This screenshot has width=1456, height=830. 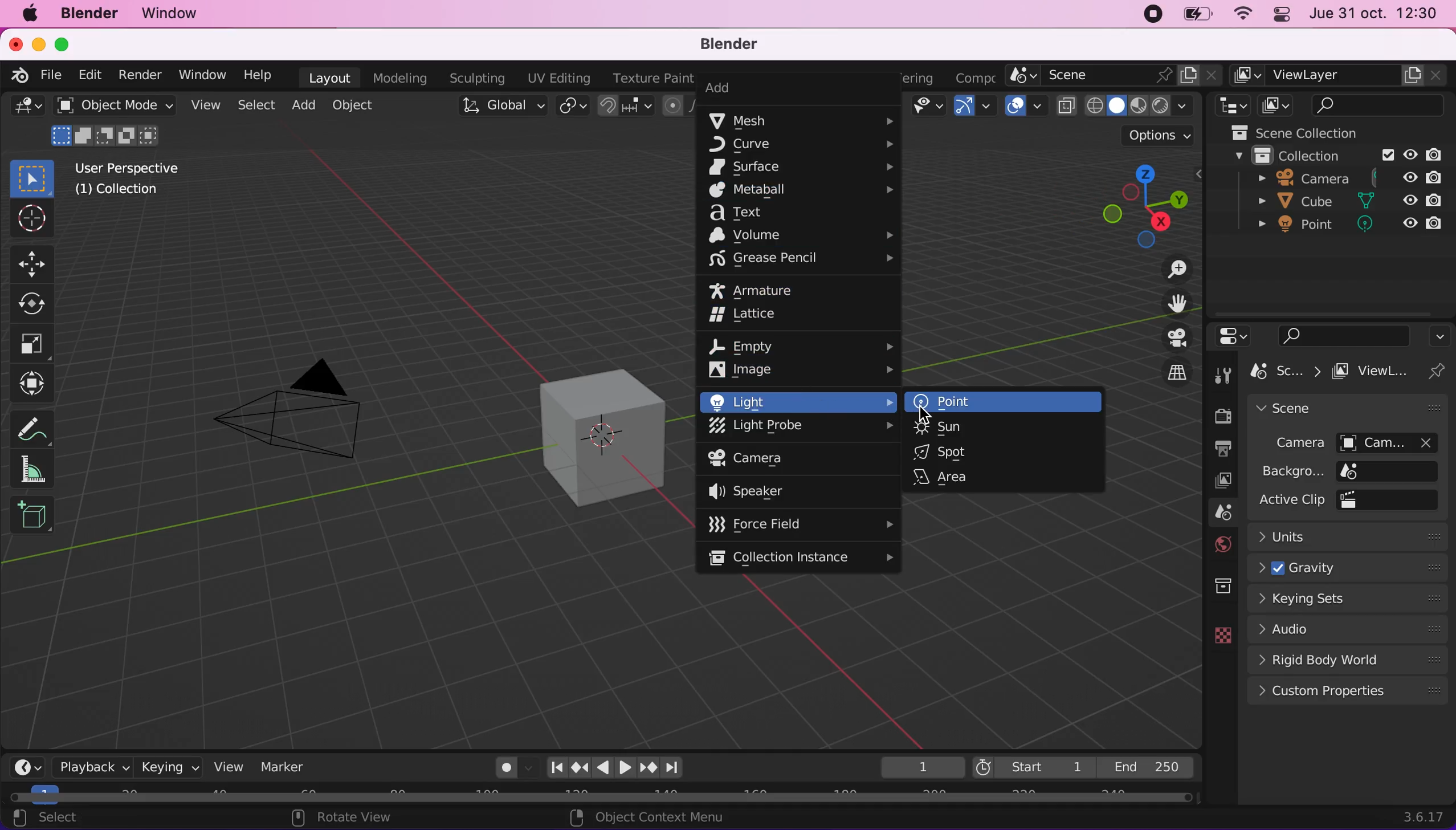 I want to click on measure, so click(x=35, y=471).